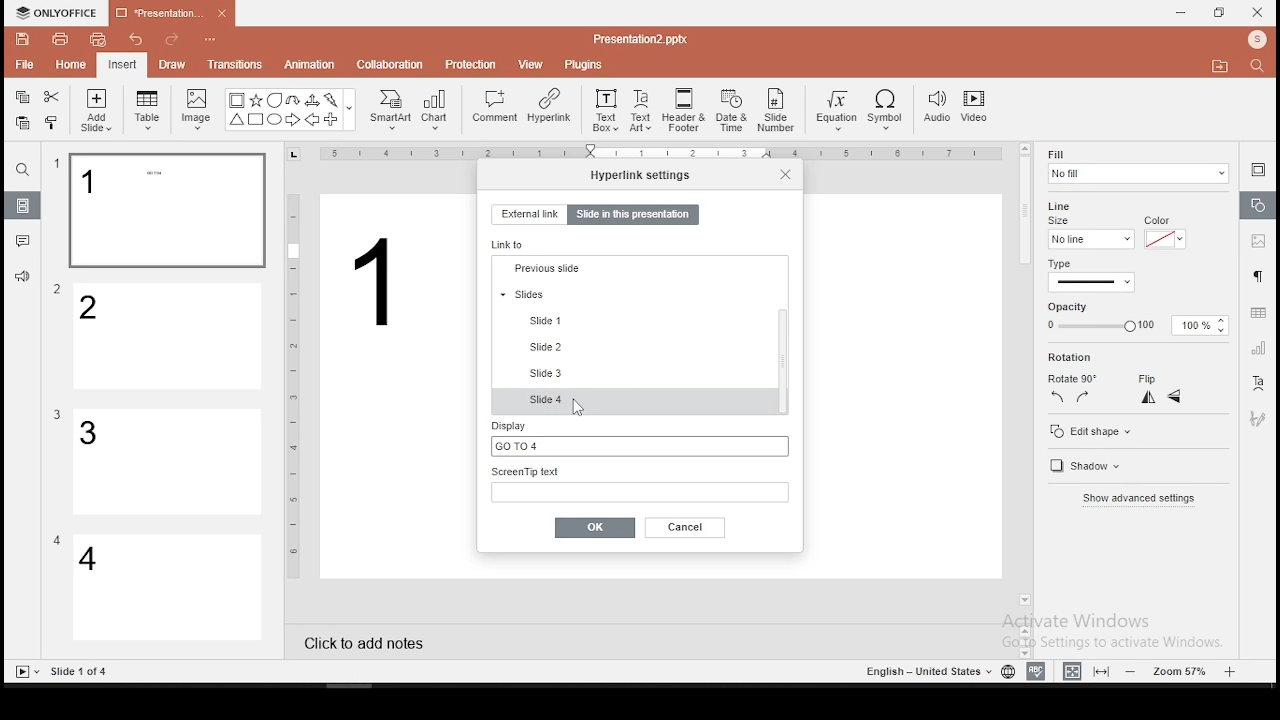 Image resolution: width=1280 pixels, height=720 pixels. What do you see at coordinates (350, 111) in the screenshot?
I see `` at bounding box center [350, 111].